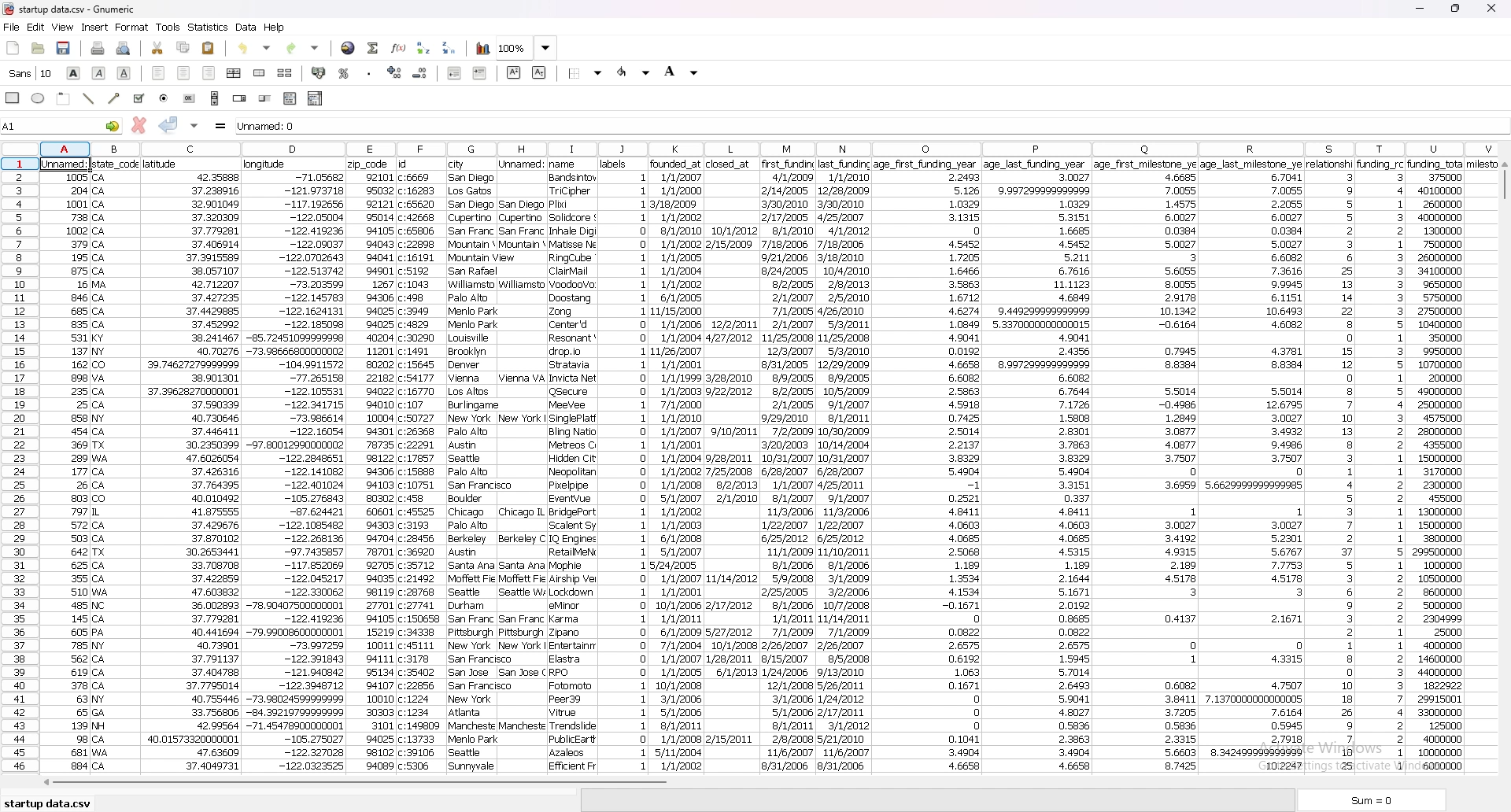 The height and width of the screenshot is (812, 1511). Describe the element at coordinates (168, 28) in the screenshot. I see `tools` at that location.